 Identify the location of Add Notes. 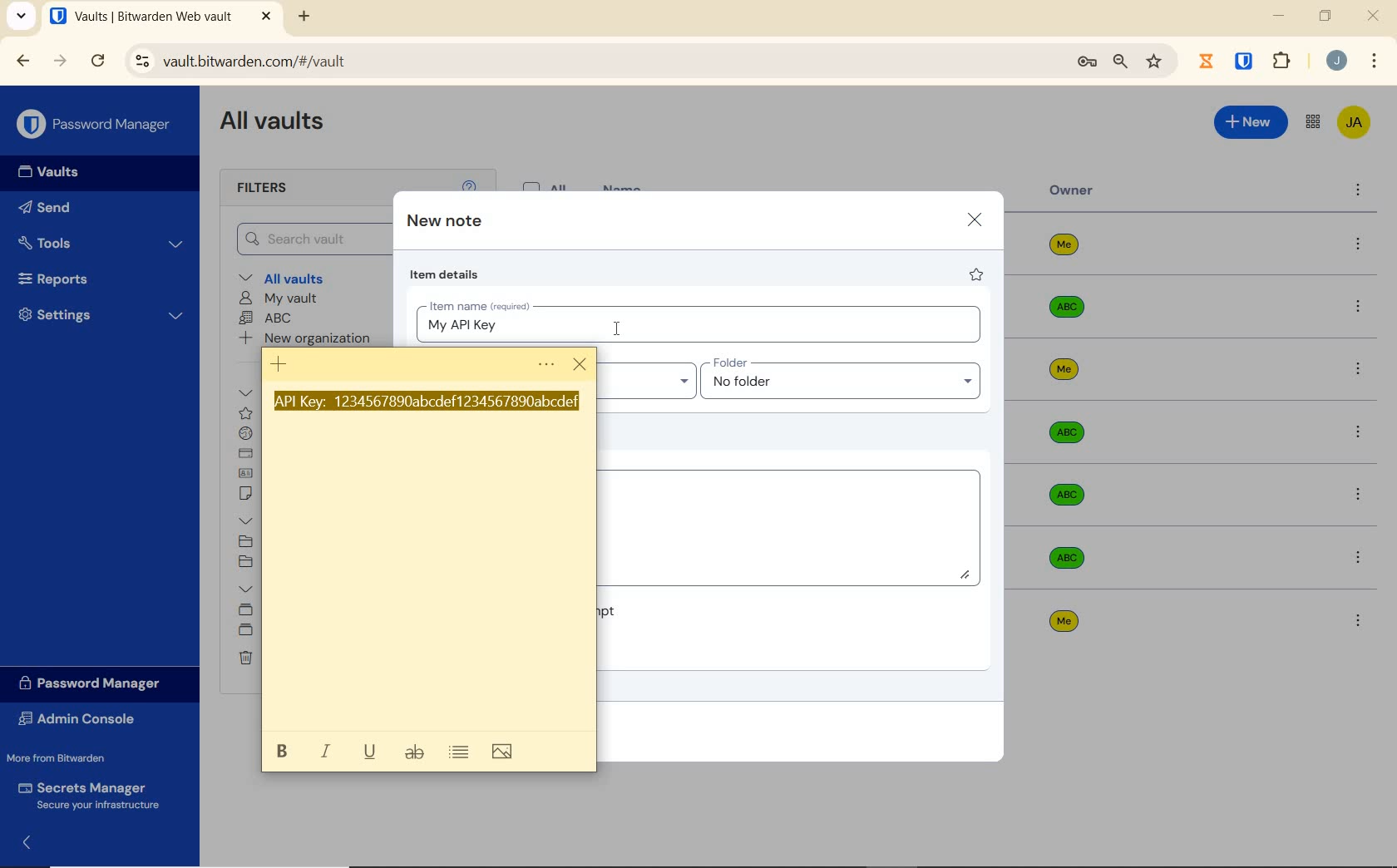
(794, 525).